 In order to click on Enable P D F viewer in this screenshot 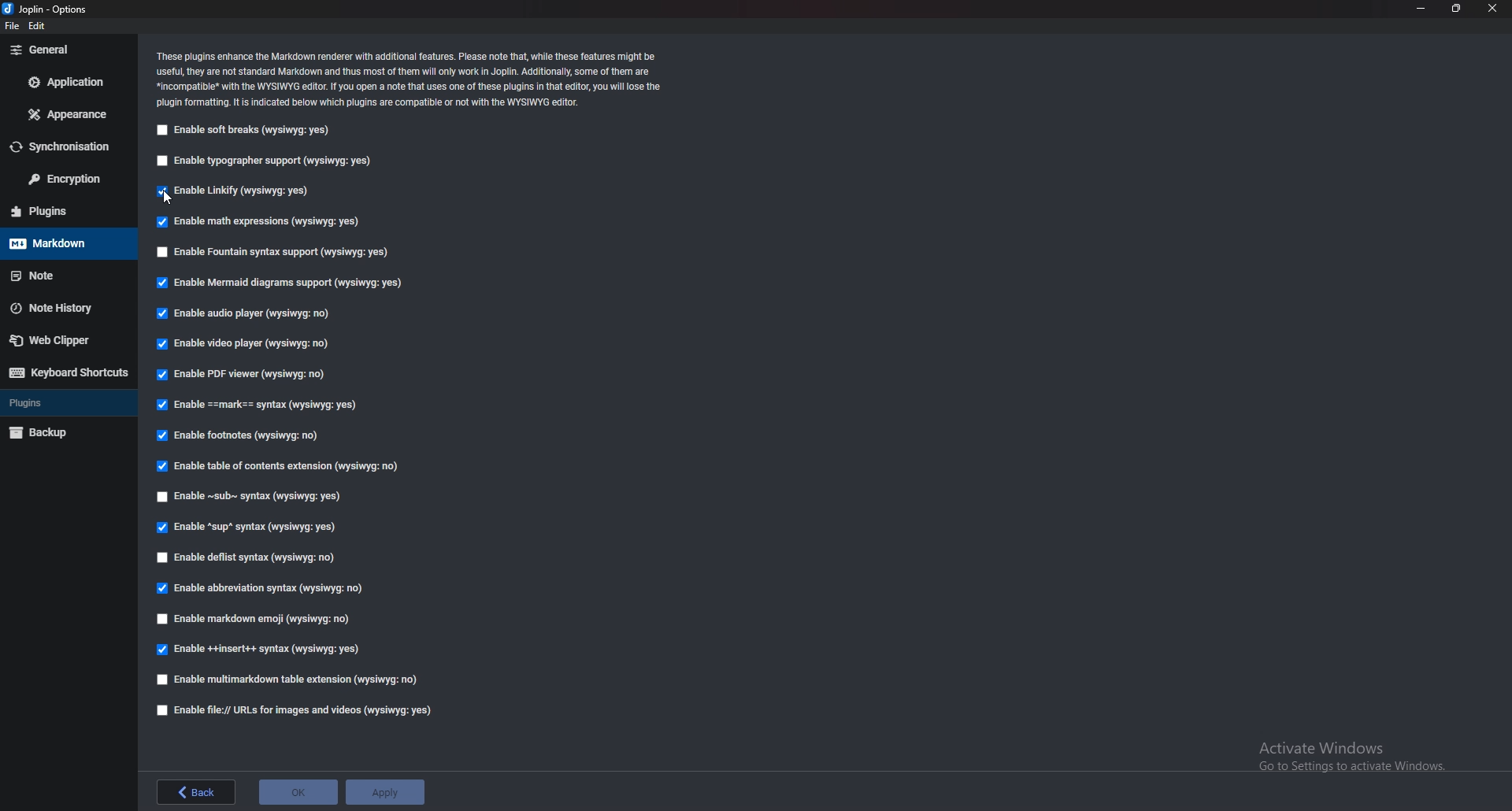, I will do `click(243, 375)`.